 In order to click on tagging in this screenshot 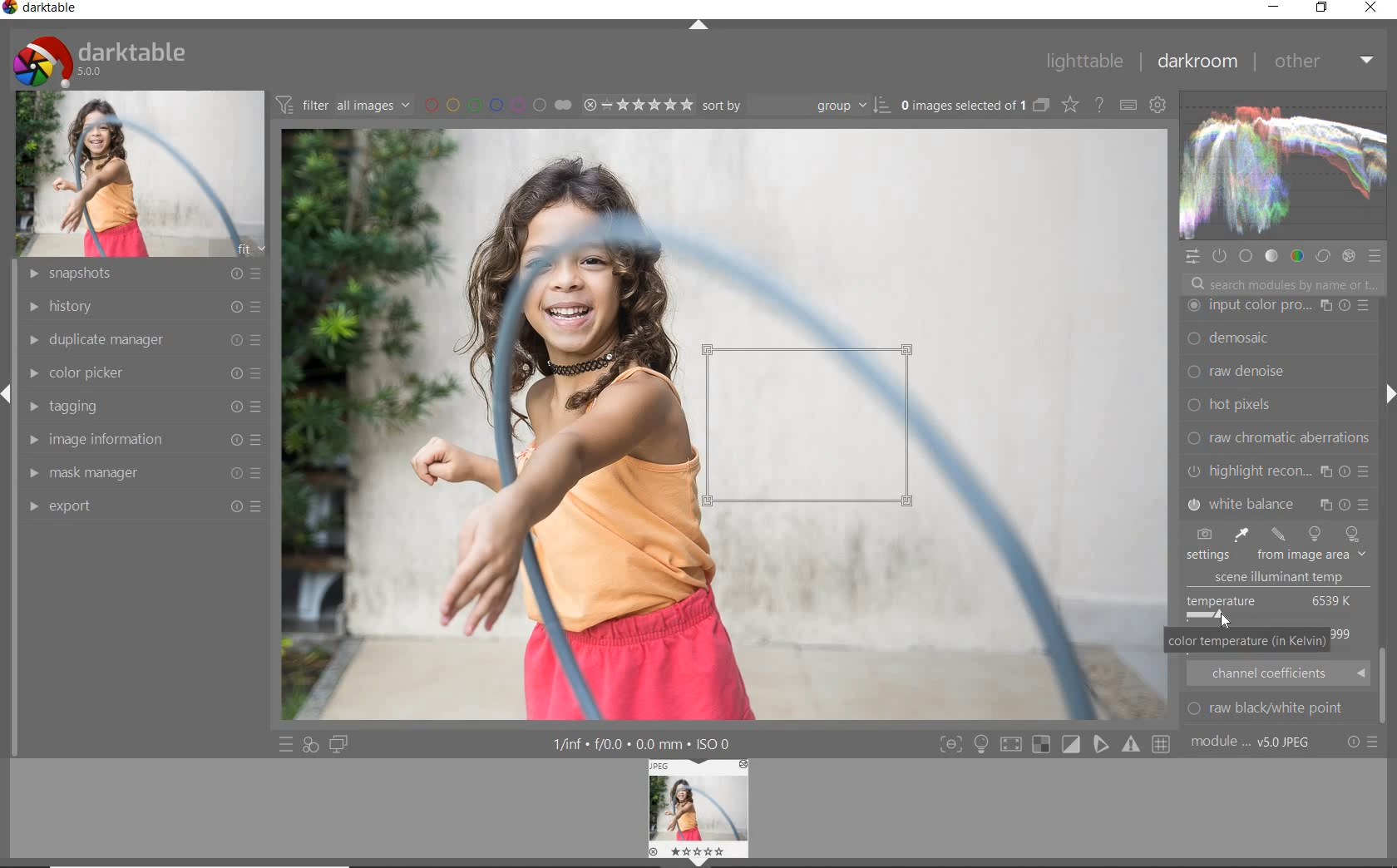, I will do `click(143, 407)`.